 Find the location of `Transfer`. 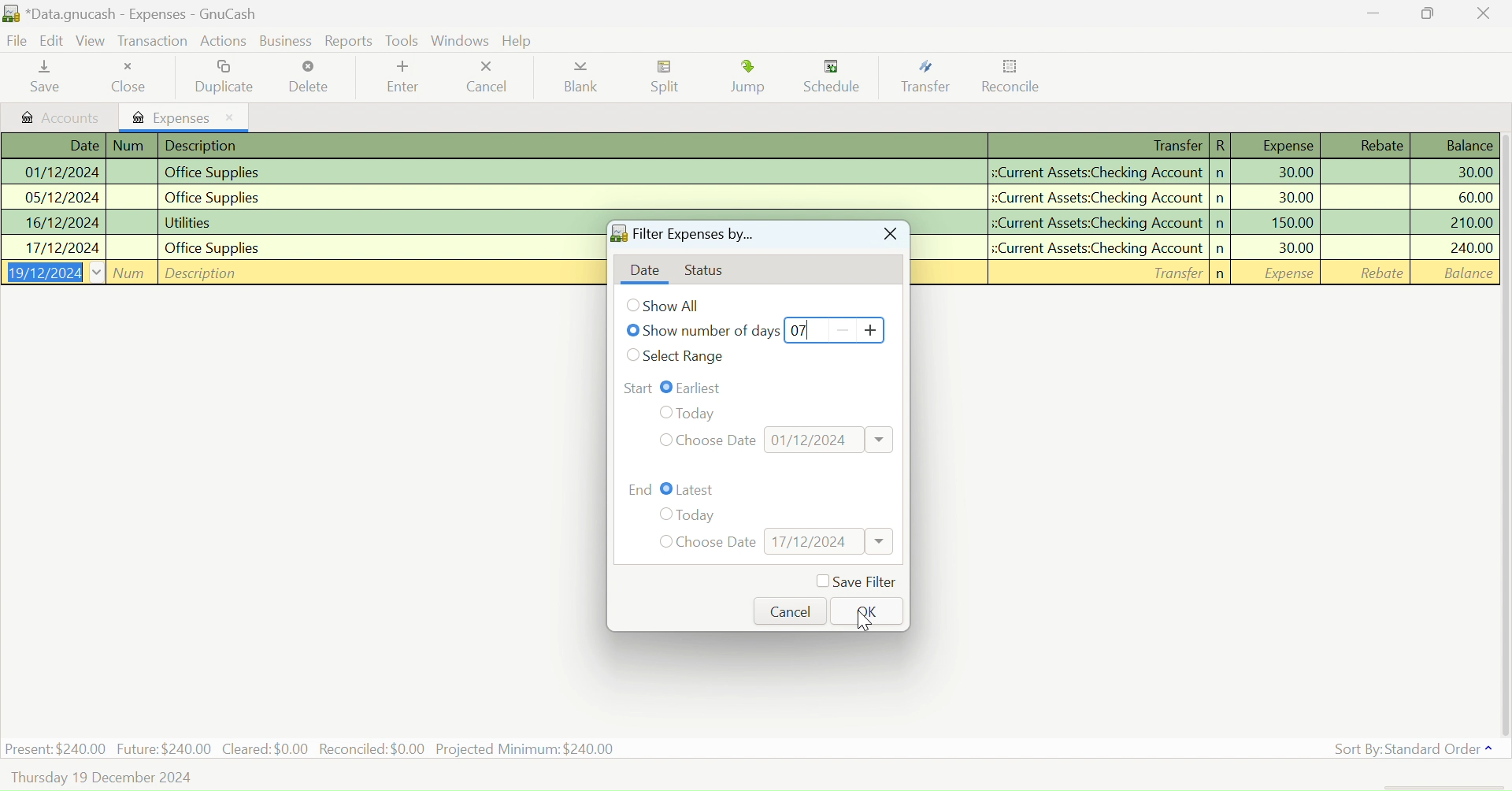

Transfer is located at coordinates (931, 77).